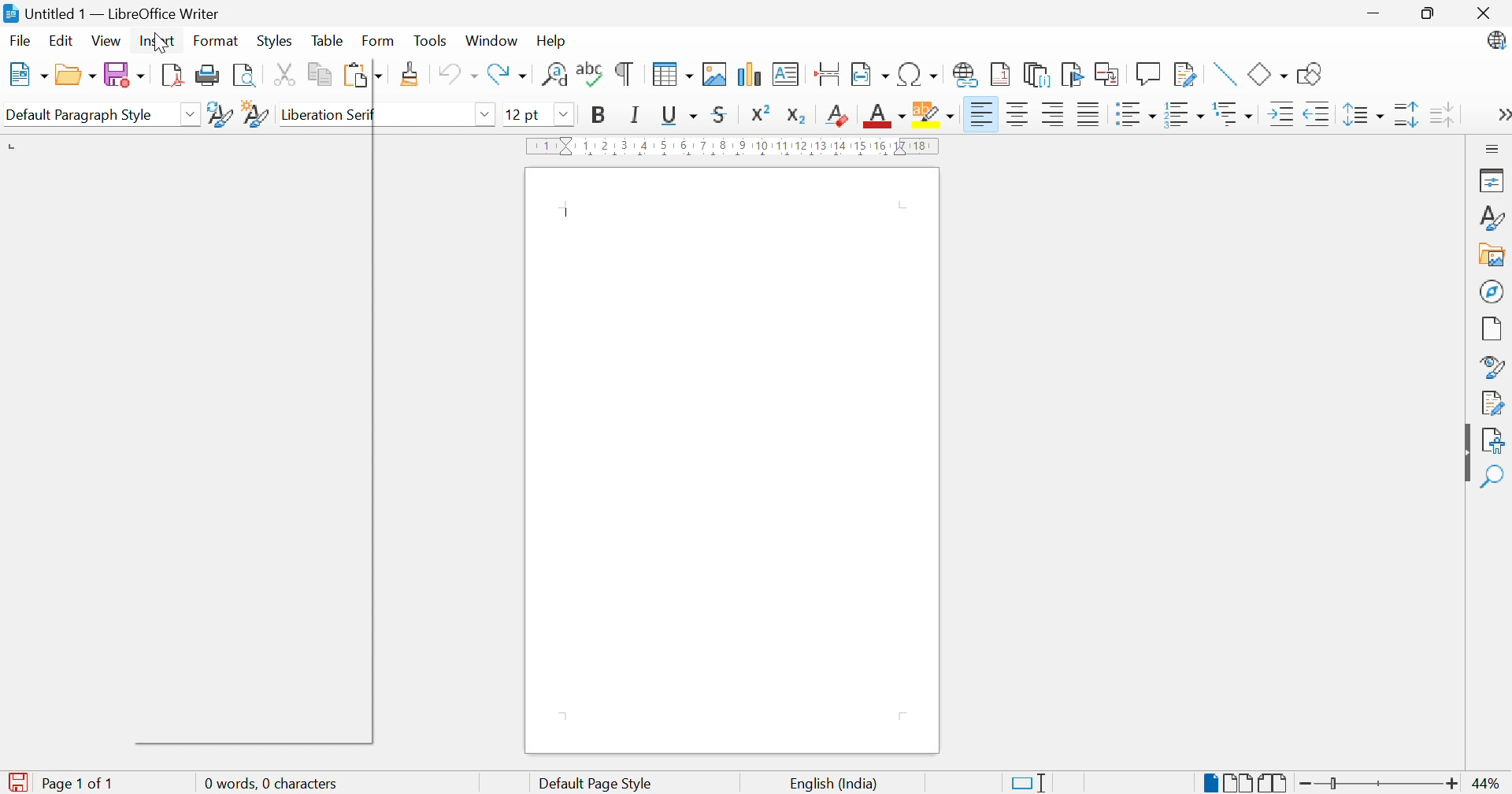 This screenshot has width=1512, height=794. I want to click on Help, so click(552, 42).